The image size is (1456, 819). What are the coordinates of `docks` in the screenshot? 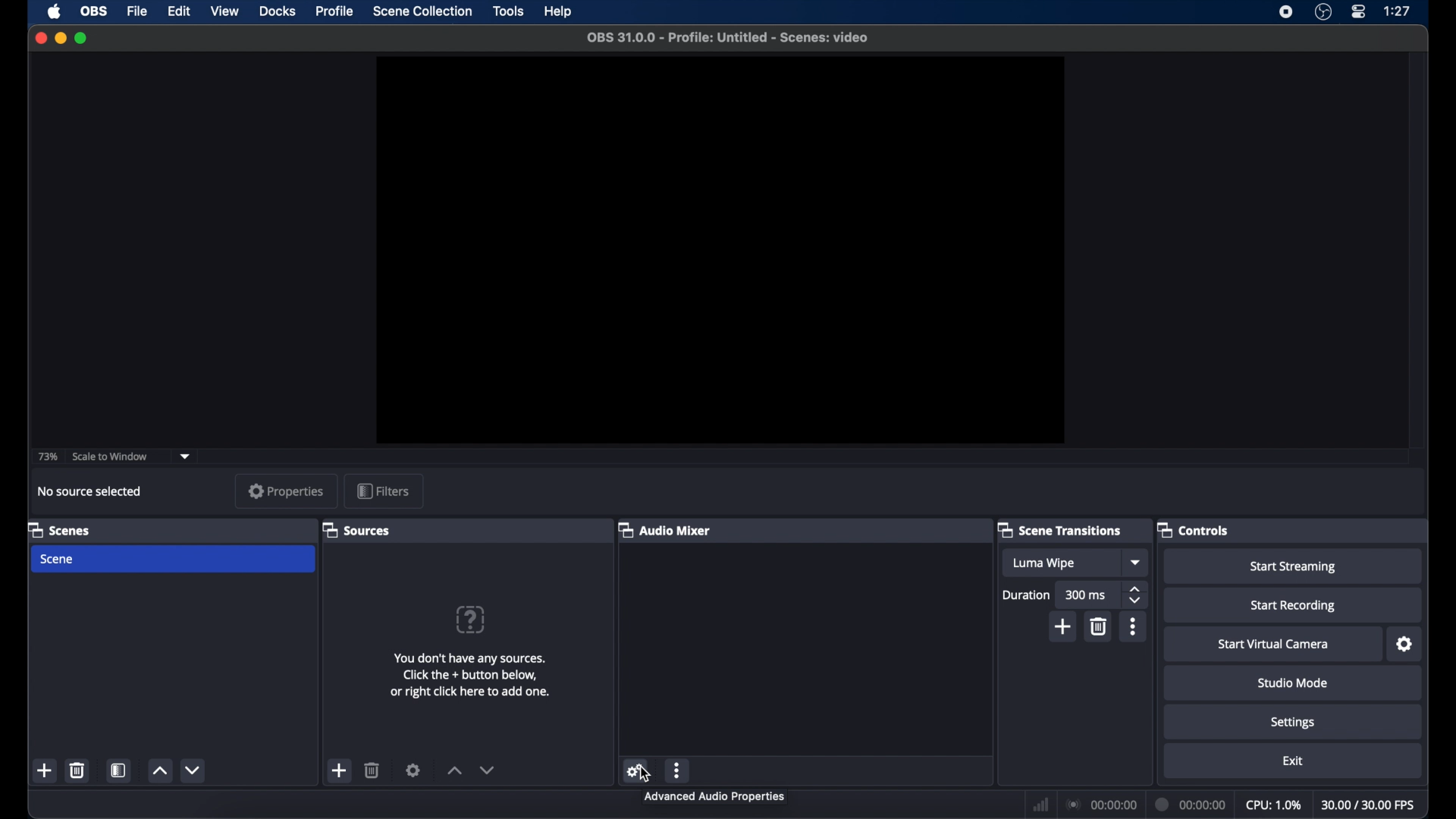 It's located at (278, 11).